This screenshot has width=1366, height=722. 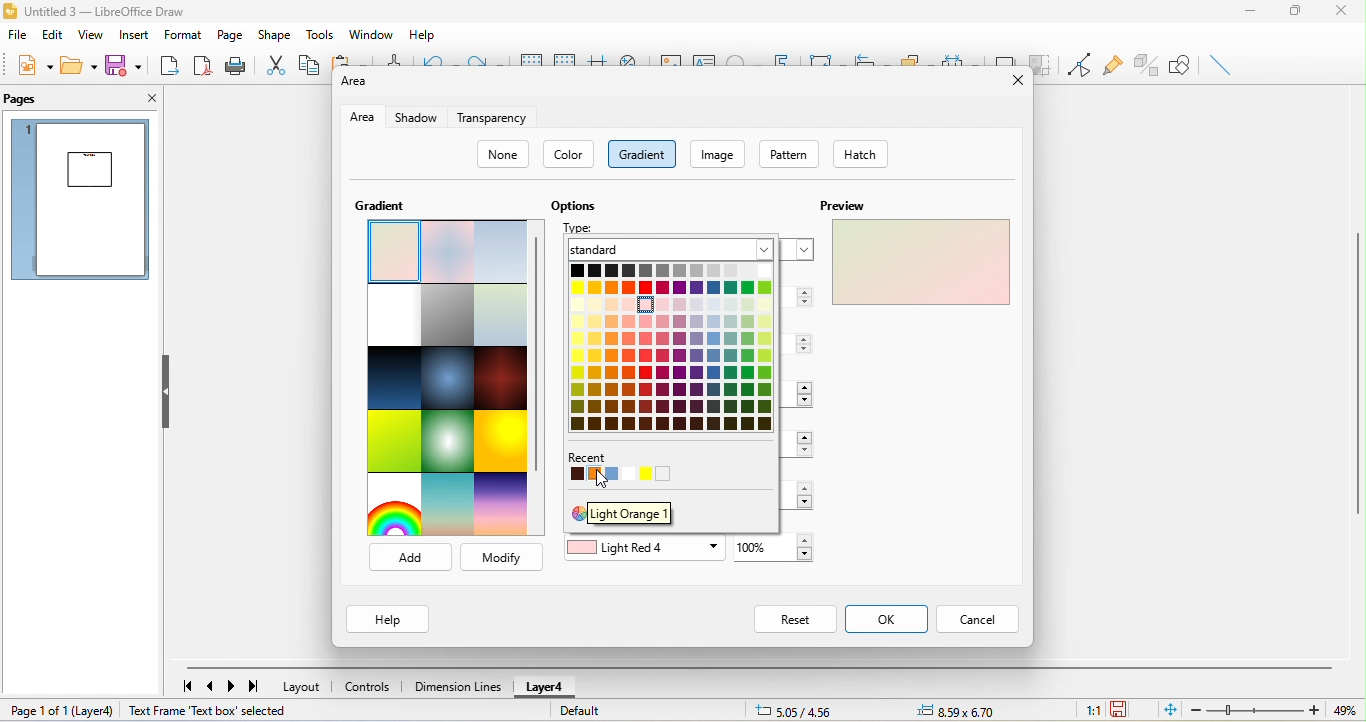 I want to click on close, so click(x=146, y=101).